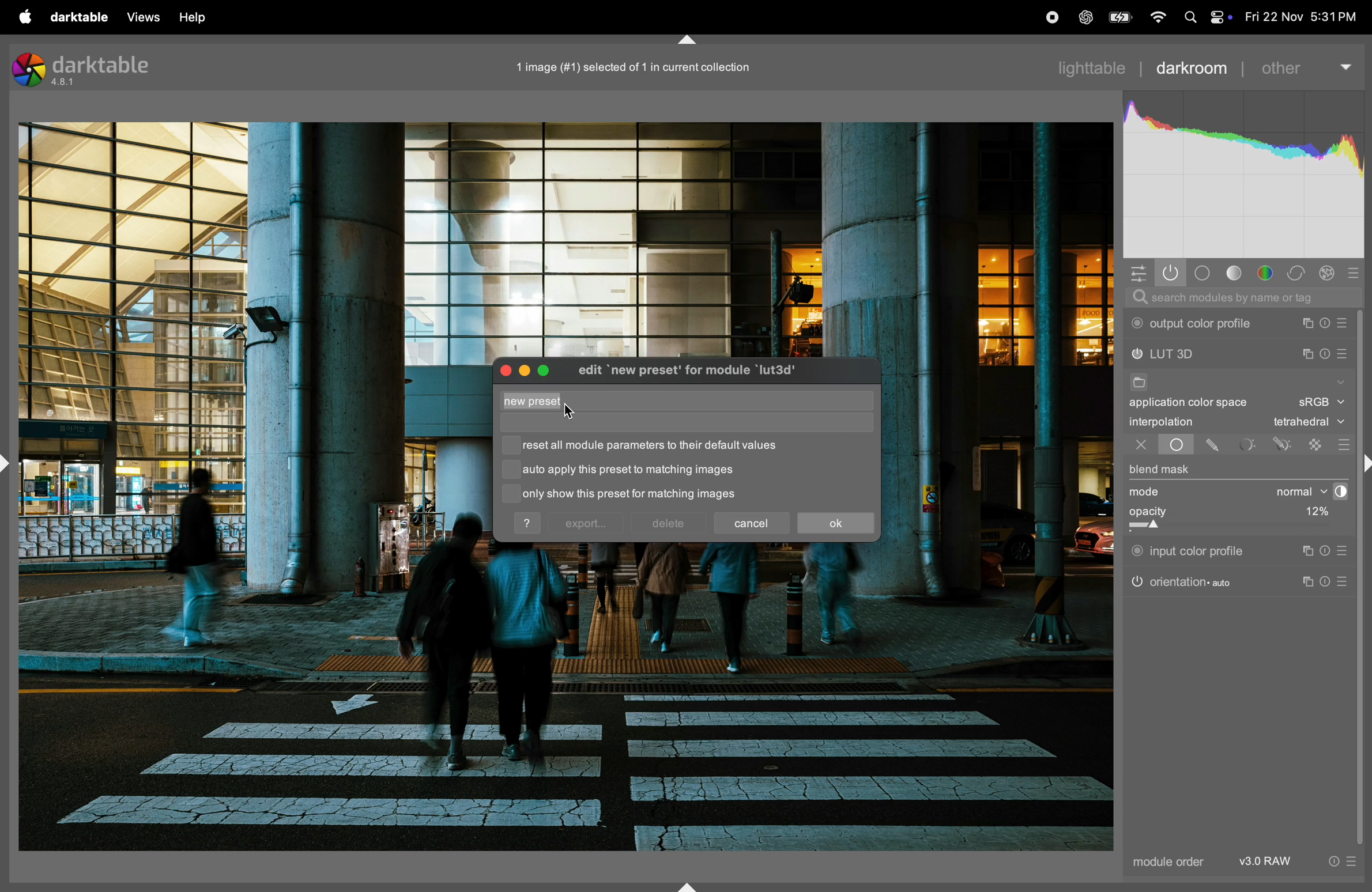  I want to click on lightable, so click(1095, 67).